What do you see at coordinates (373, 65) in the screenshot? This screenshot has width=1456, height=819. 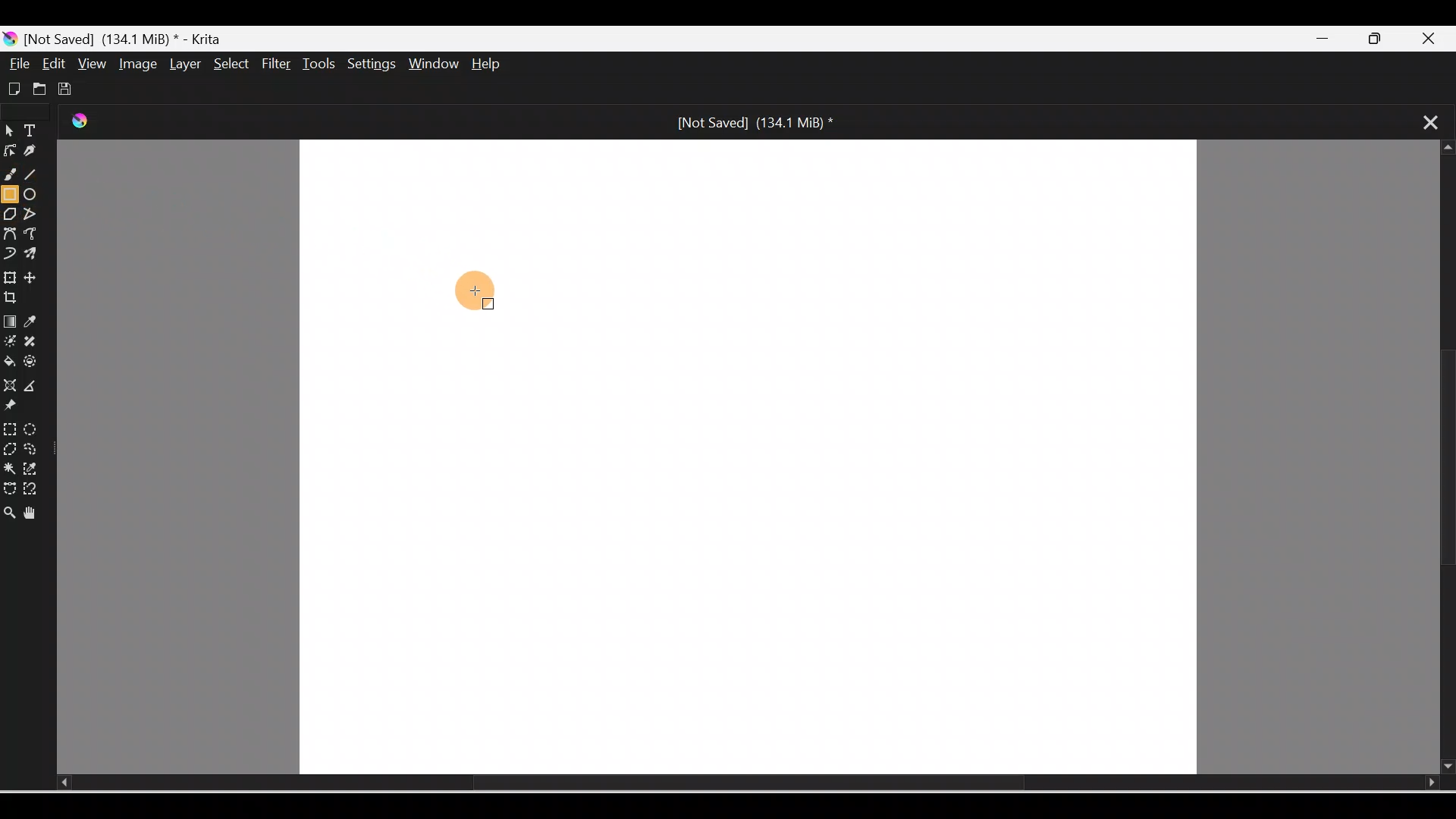 I see `Settings` at bounding box center [373, 65].